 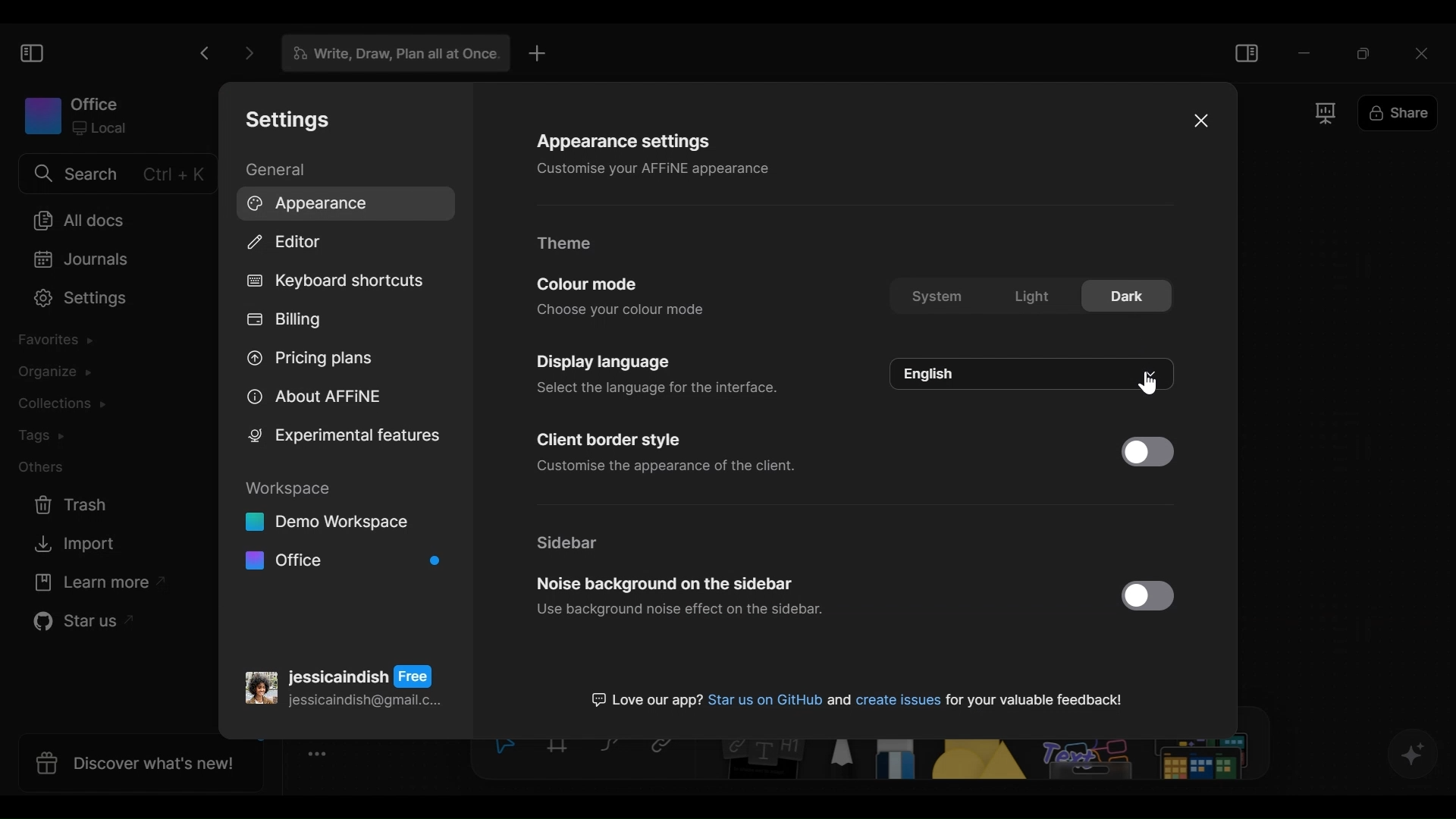 I want to click on Editor, so click(x=286, y=243).